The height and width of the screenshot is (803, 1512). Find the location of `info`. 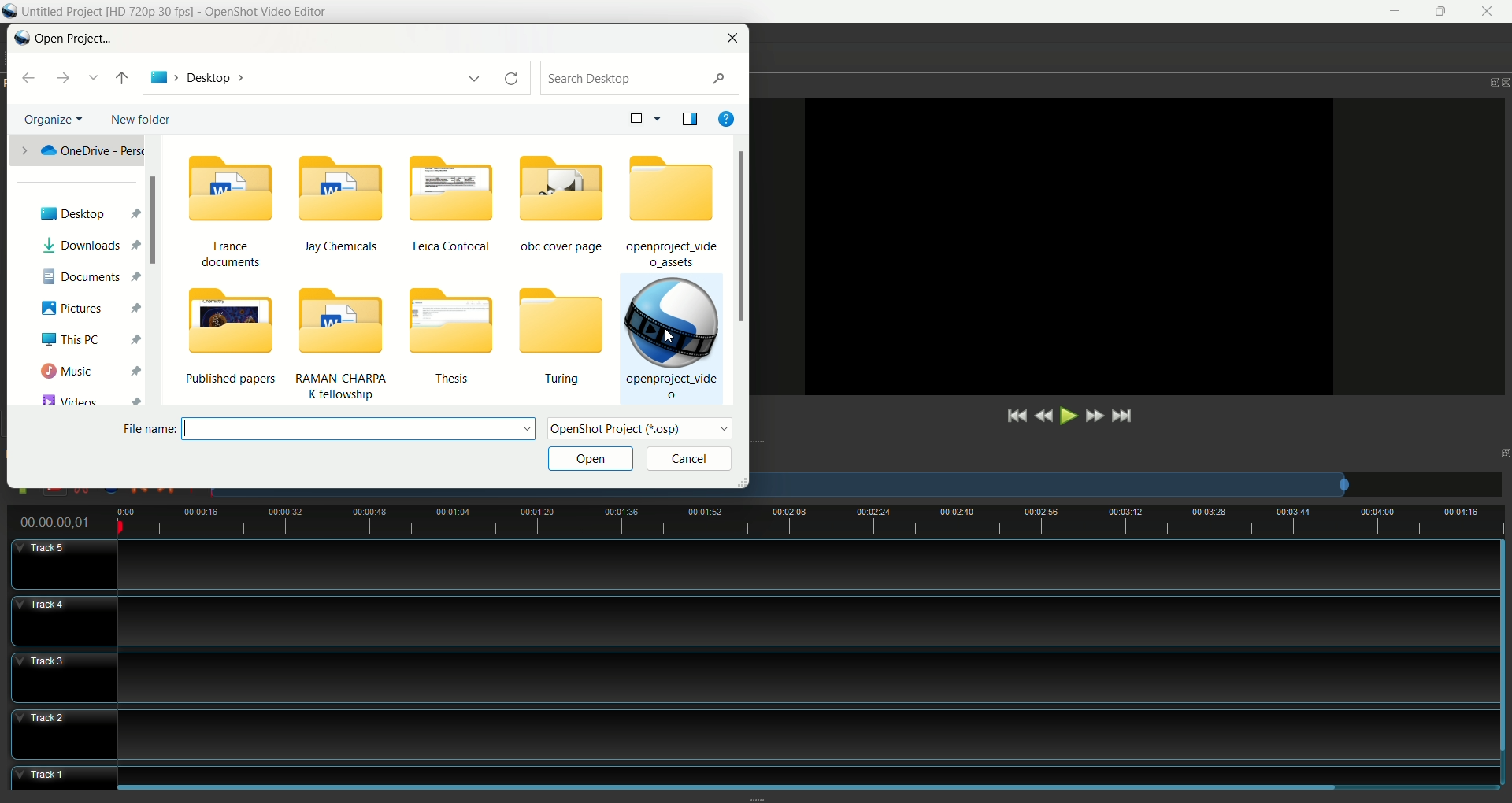

info is located at coordinates (732, 115).